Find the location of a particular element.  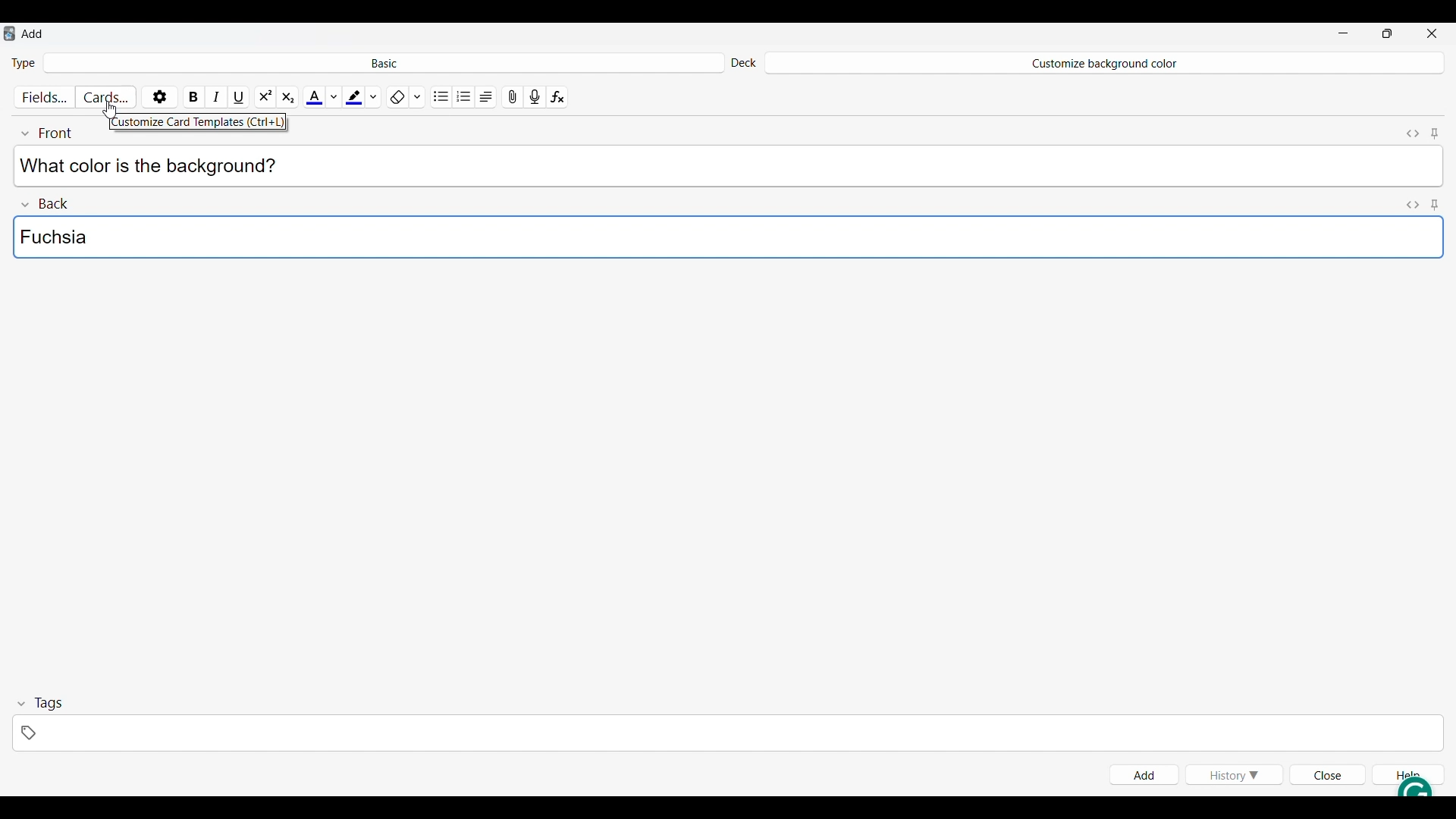

Selected highlight color is located at coordinates (353, 94).